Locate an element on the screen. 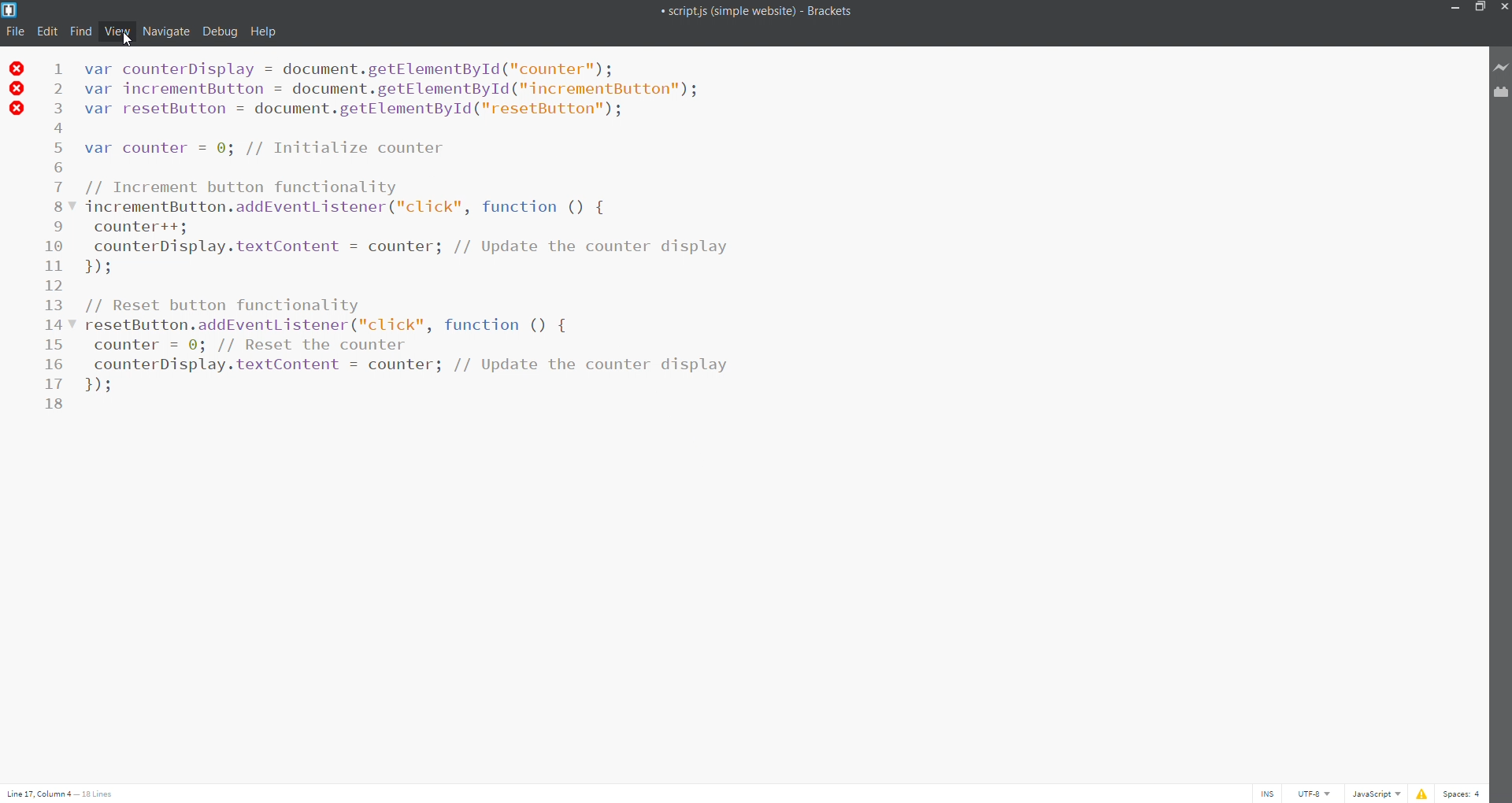 The height and width of the screenshot is (803, 1512). line number is located at coordinates (57, 242).